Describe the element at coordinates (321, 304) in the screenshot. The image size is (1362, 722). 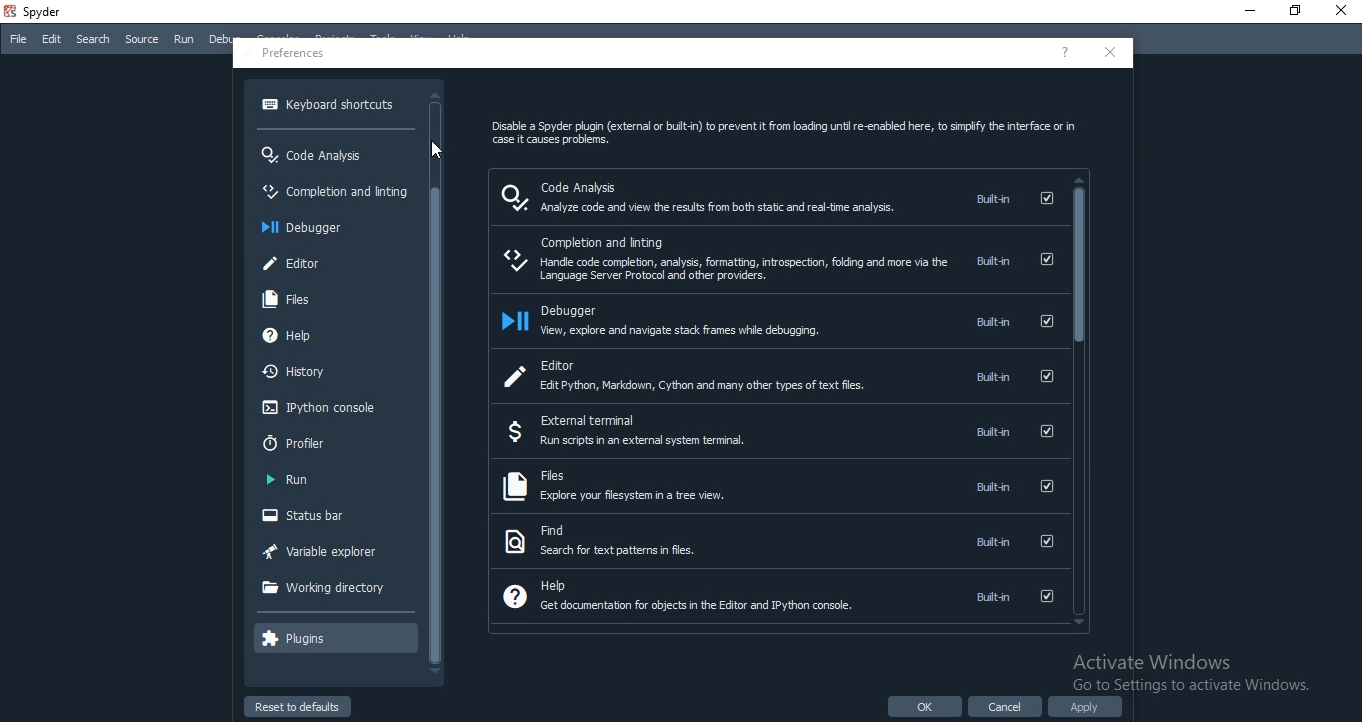
I see `files` at that location.